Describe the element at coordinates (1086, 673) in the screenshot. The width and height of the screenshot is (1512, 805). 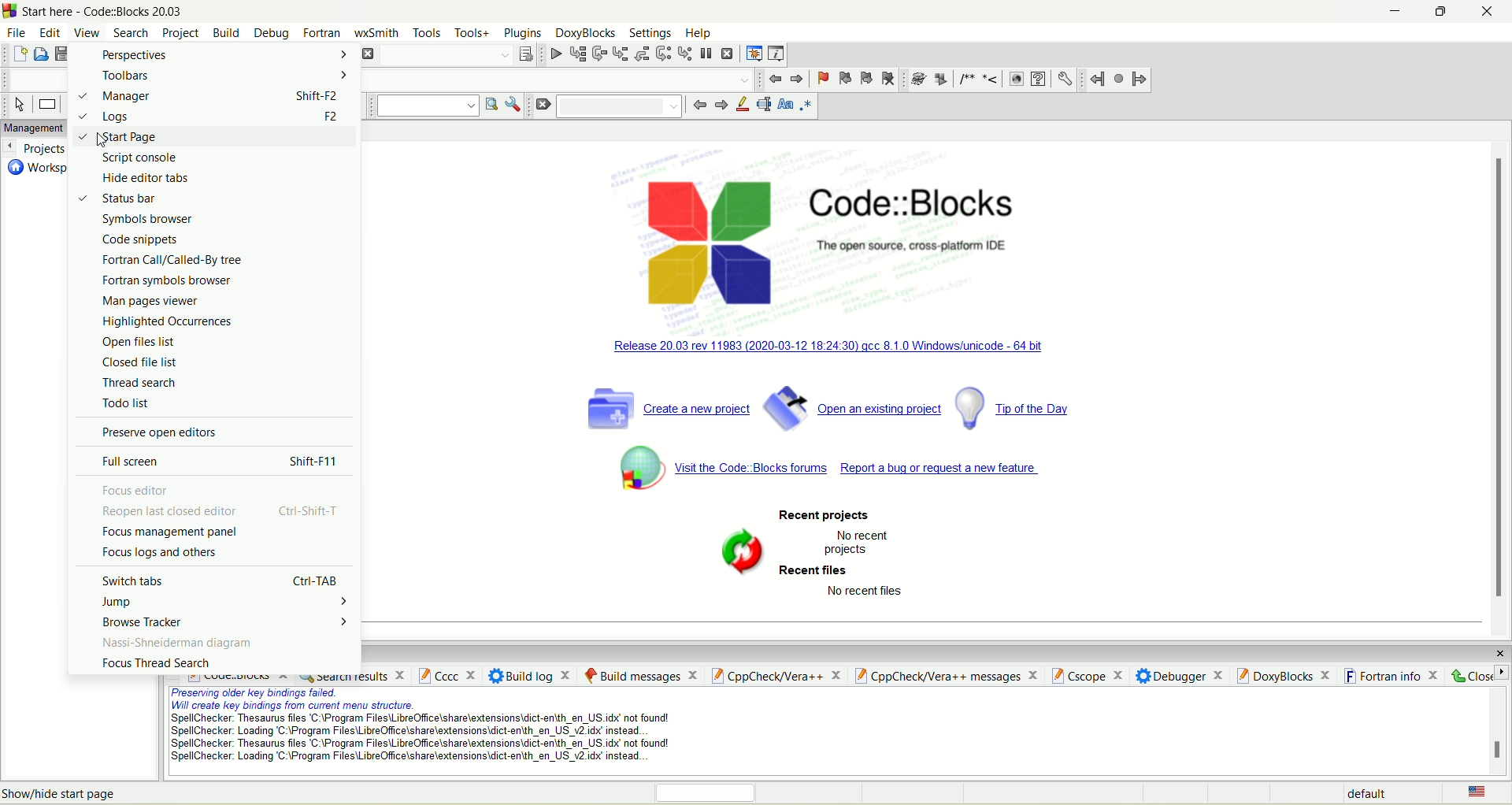
I see `Cscope` at that location.